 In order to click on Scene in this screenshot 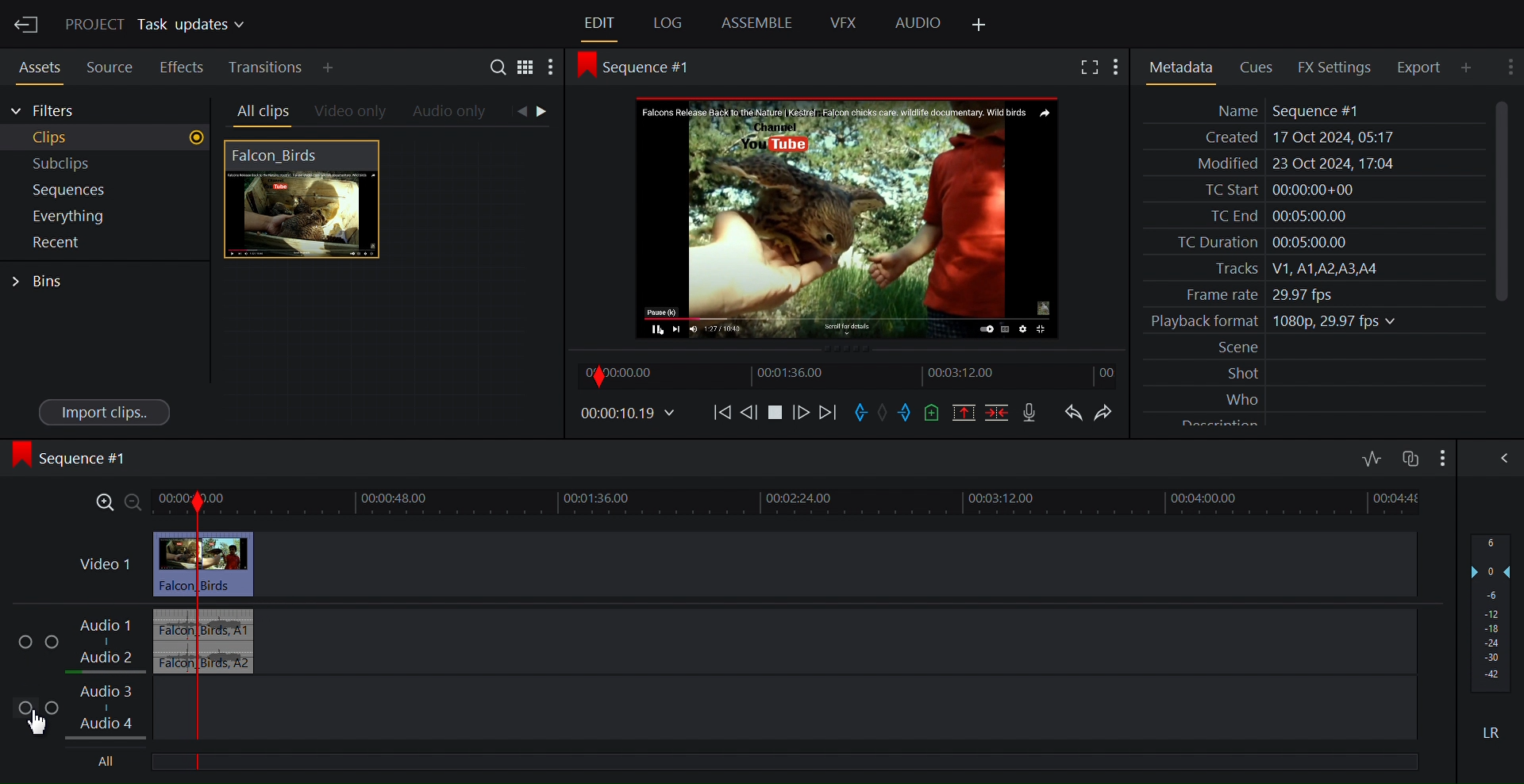, I will do `click(1316, 348)`.